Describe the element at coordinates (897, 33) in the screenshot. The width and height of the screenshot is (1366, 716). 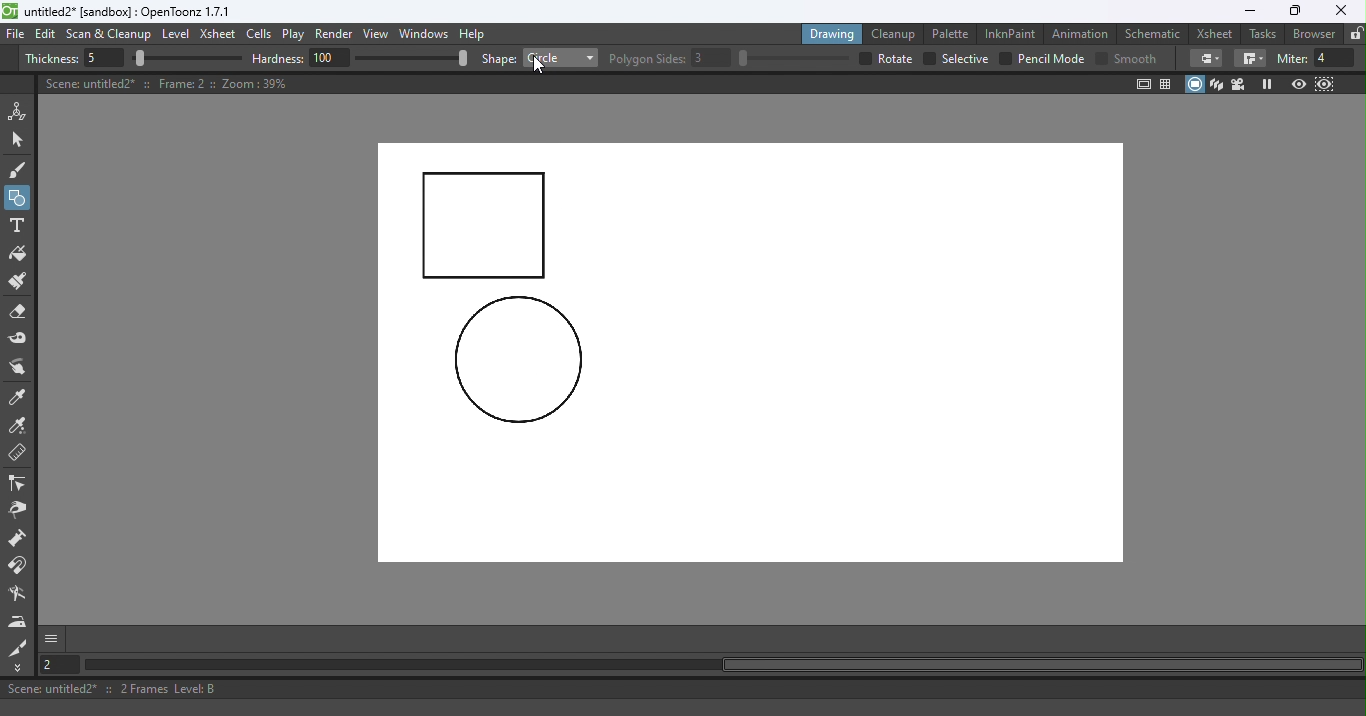
I see `Cleanup` at that location.